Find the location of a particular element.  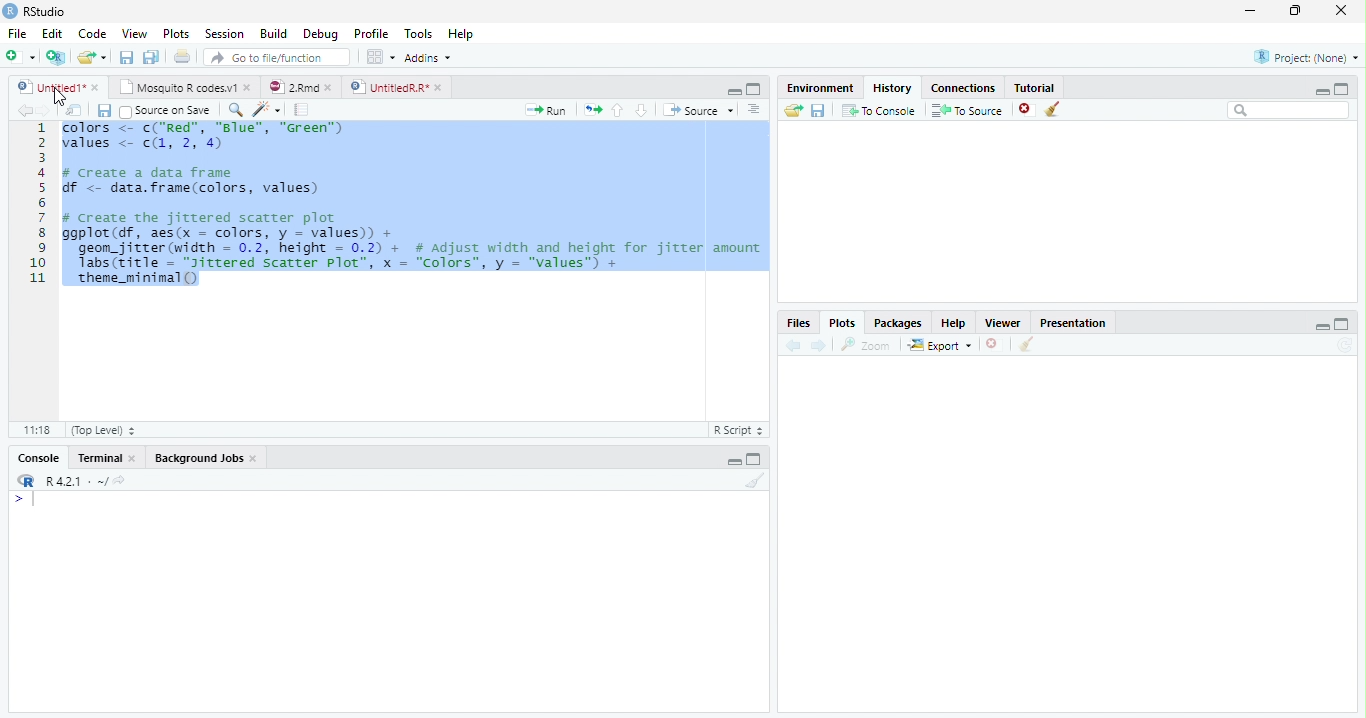

Maximize is located at coordinates (1342, 89).